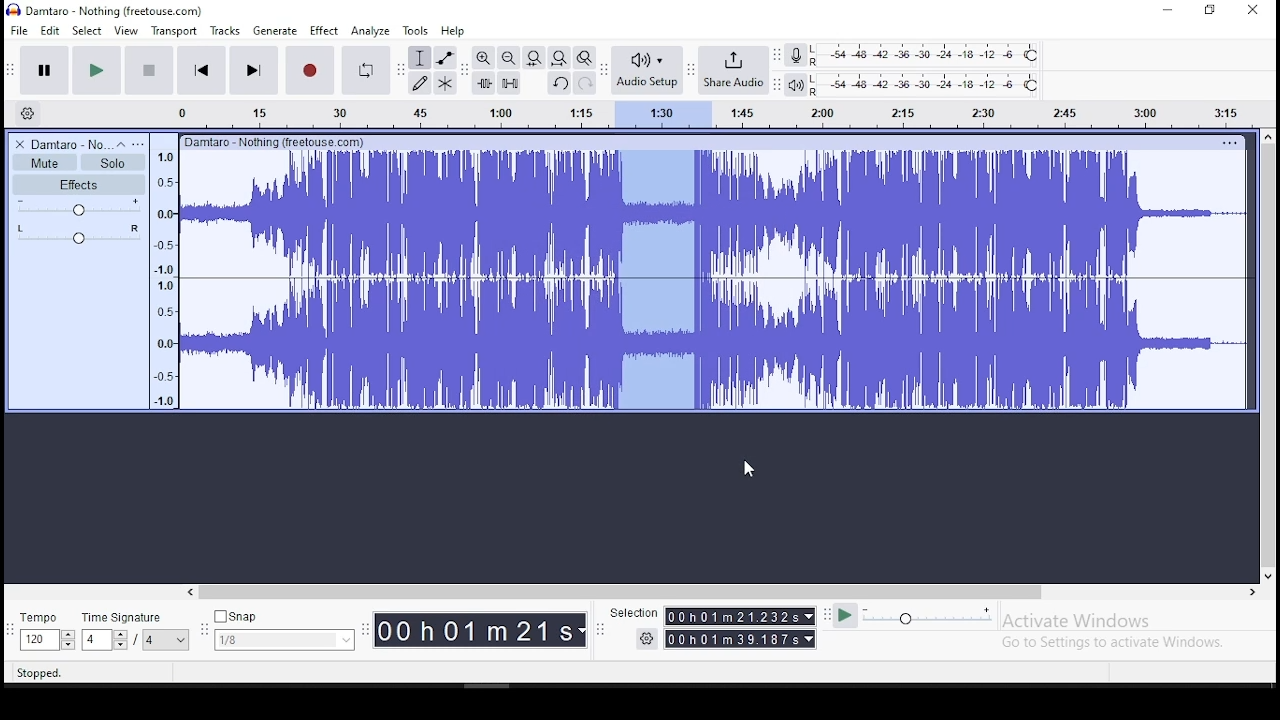  Describe the element at coordinates (416, 30) in the screenshot. I see `tools` at that location.